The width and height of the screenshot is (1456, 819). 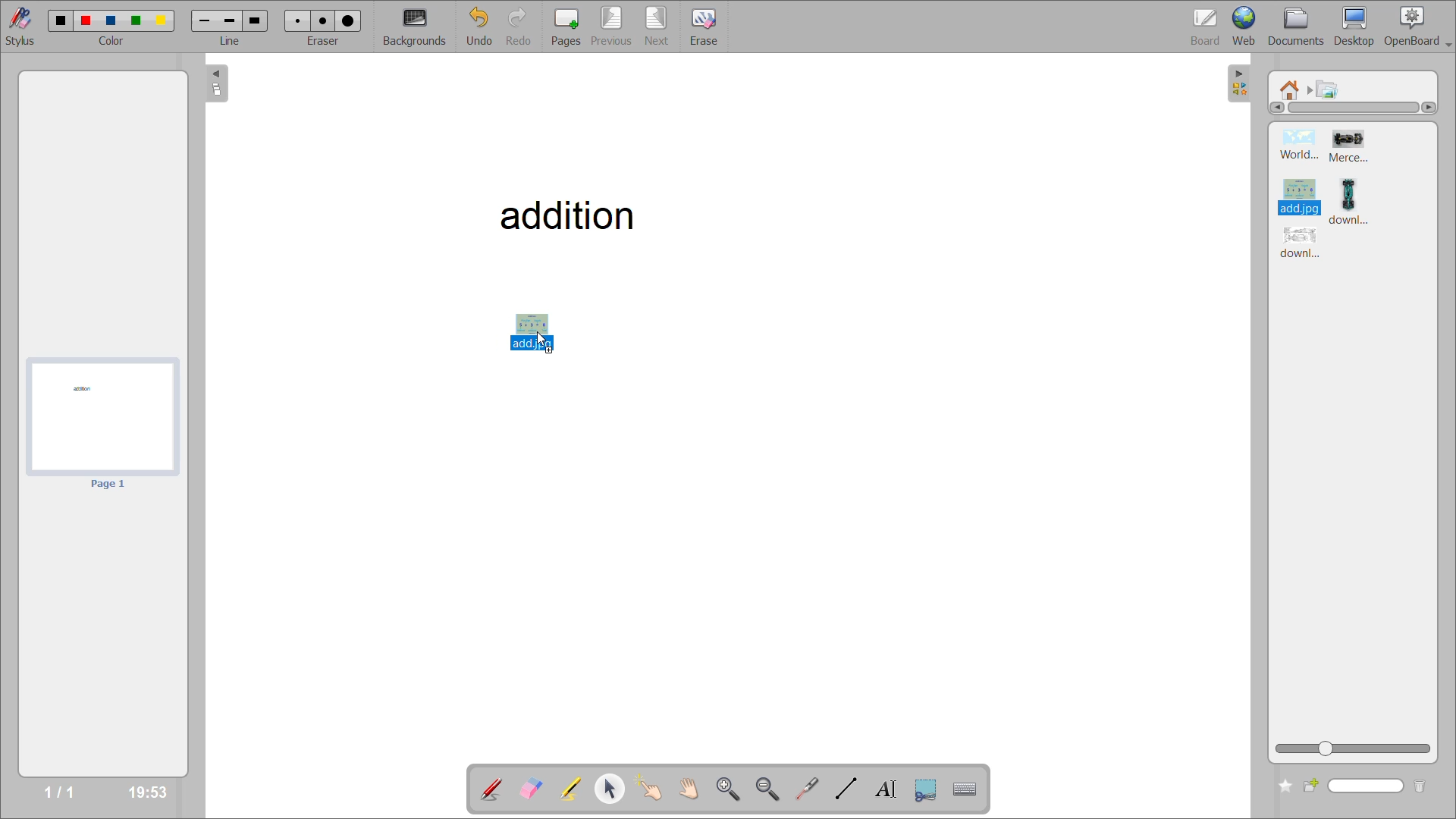 I want to click on page 1, so click(x=106, y=485).